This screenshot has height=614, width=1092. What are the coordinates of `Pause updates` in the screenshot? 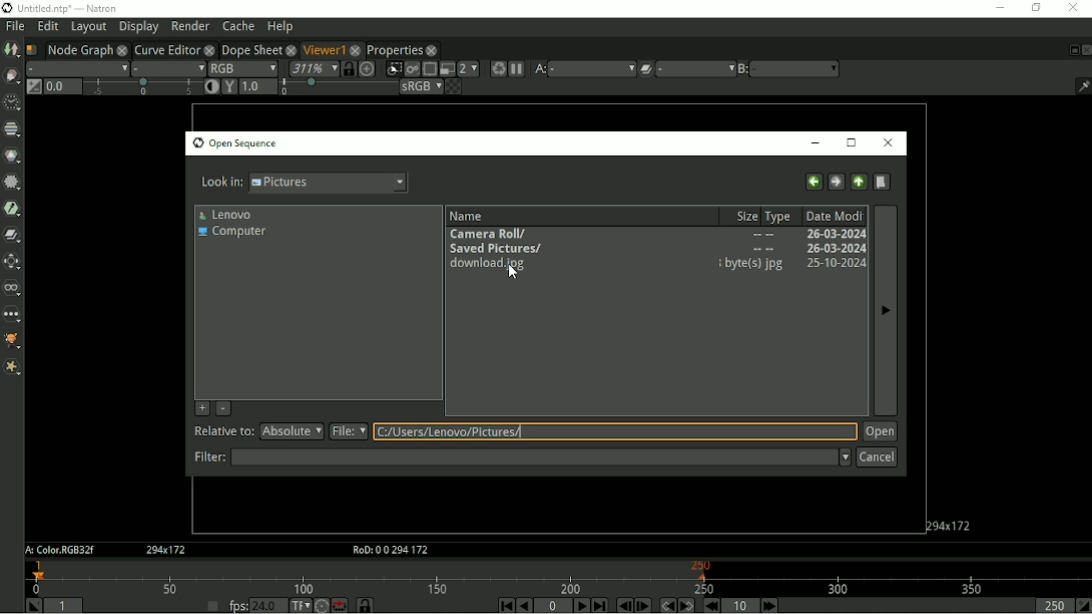 It's located at (518, 69).